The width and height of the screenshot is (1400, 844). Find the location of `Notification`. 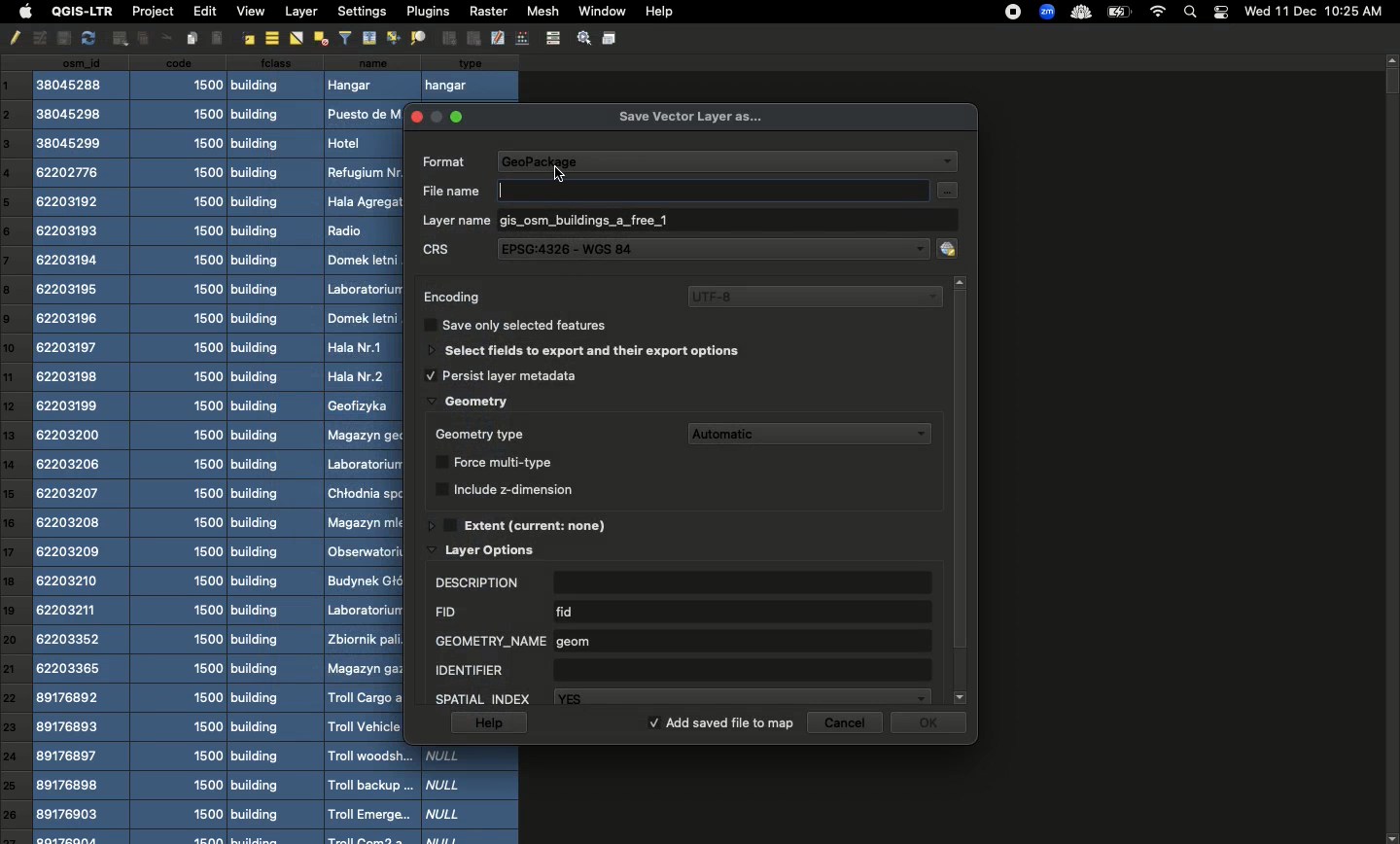

Notification is located at coordinates (1220, 11).